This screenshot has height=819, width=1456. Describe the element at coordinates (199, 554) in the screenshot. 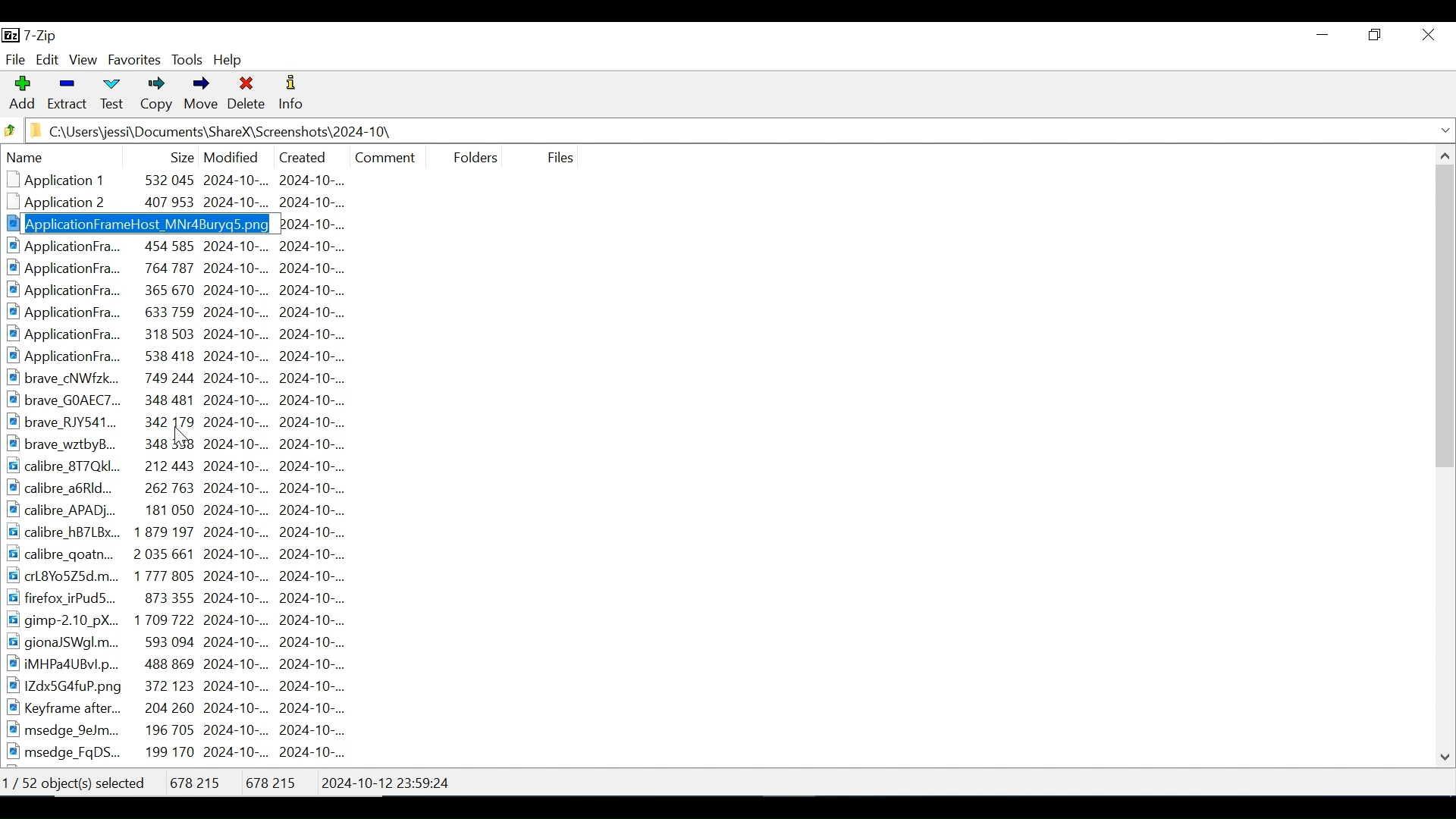

I see `calibre_goatn... 2035661 2024-10-... 2024-10-...` at that location.